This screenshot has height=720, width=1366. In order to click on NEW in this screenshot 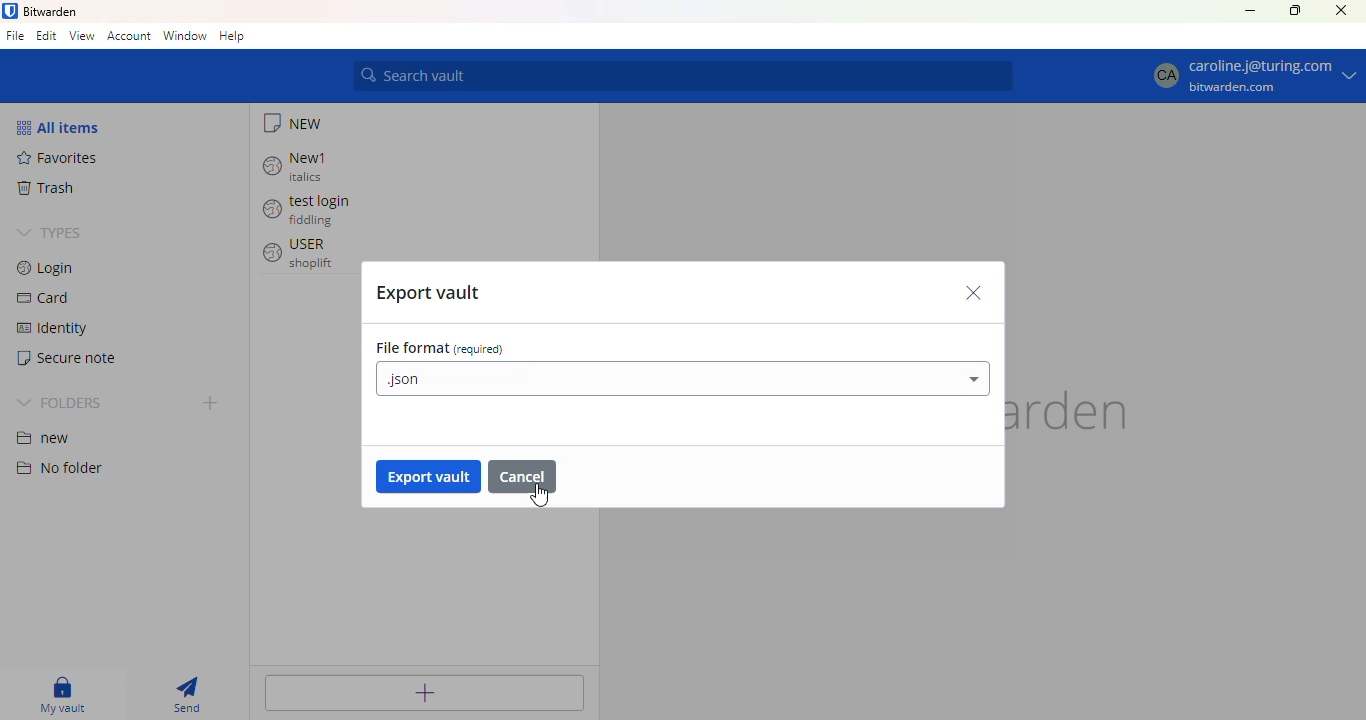, I will do `click(295, 123)`.